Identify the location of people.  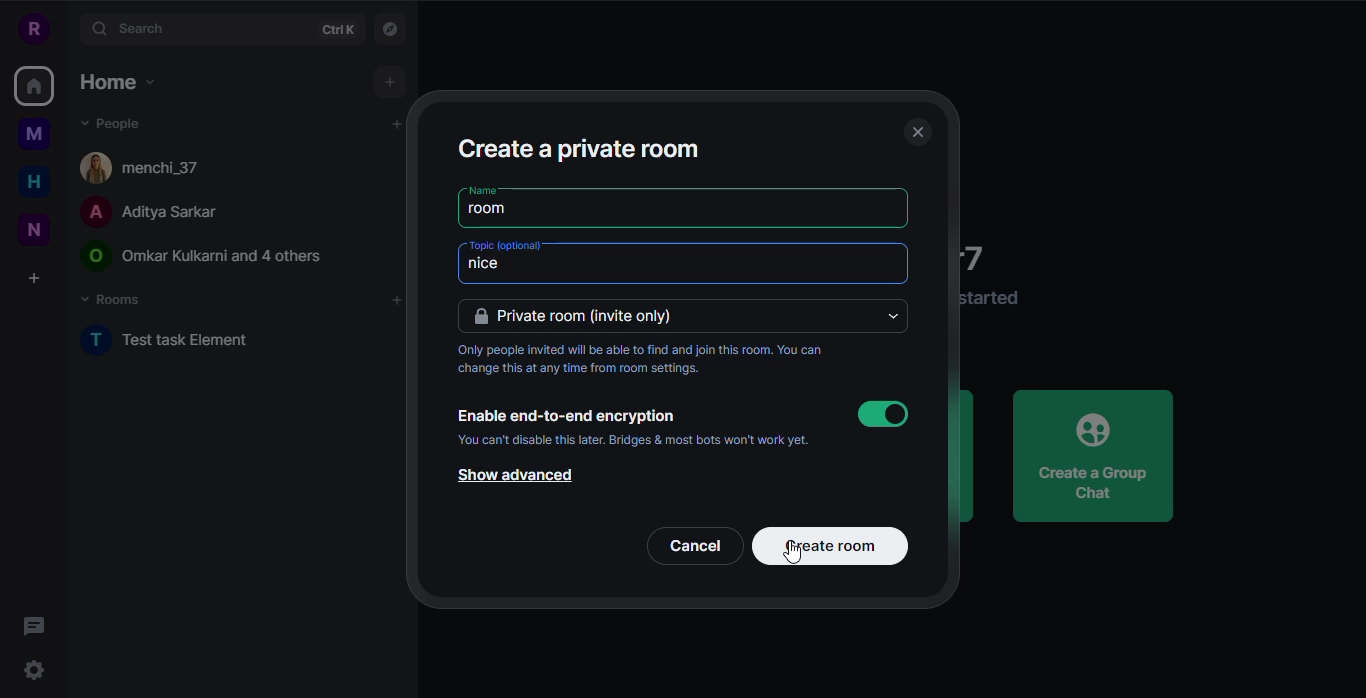
(146, 213).